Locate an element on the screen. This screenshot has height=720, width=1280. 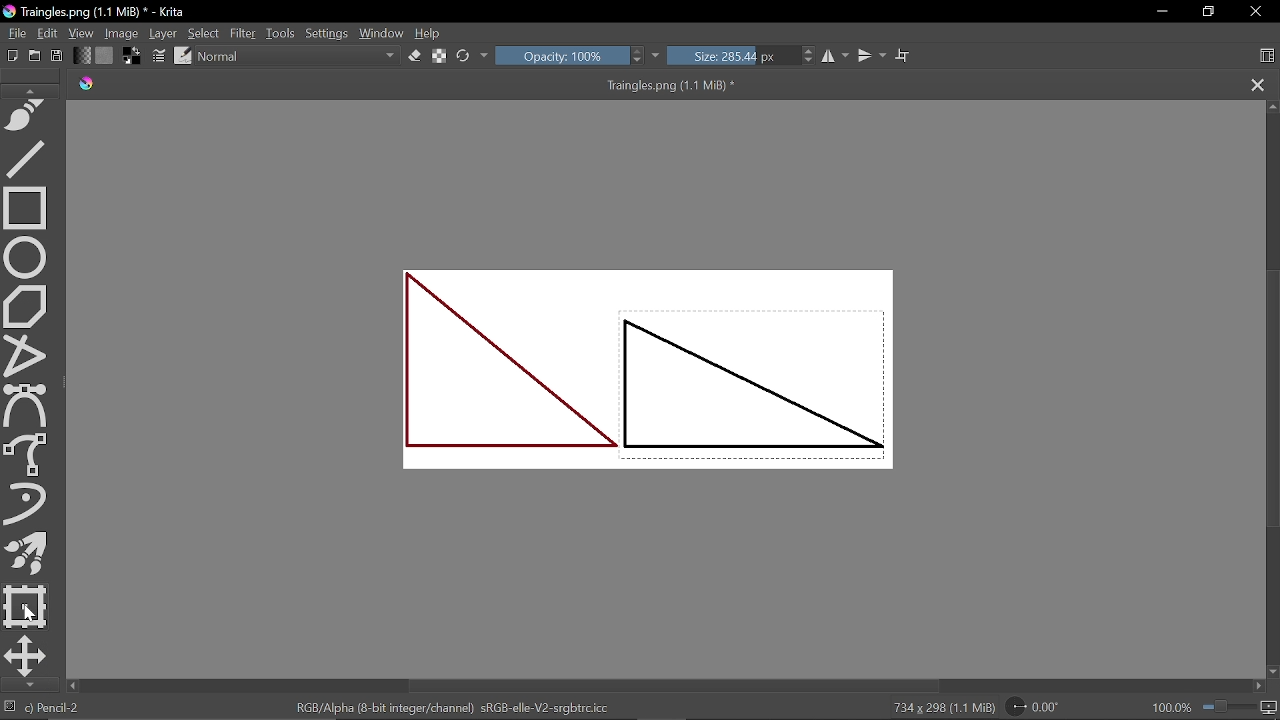
Traingles.png (1.1 MiB) * is located at coordinates (438, 85).